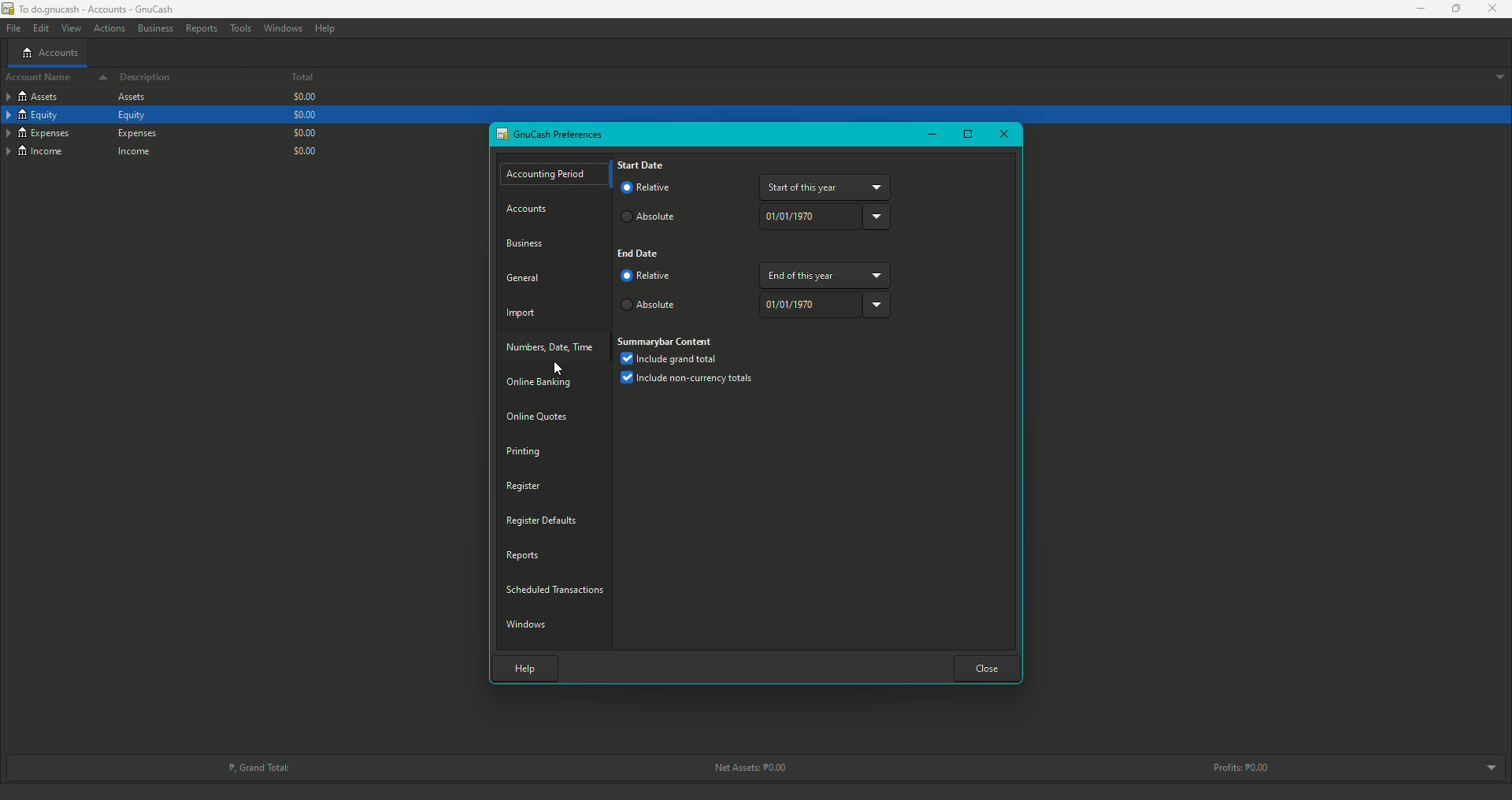  I want to click on Minimize, so click(931, 134).